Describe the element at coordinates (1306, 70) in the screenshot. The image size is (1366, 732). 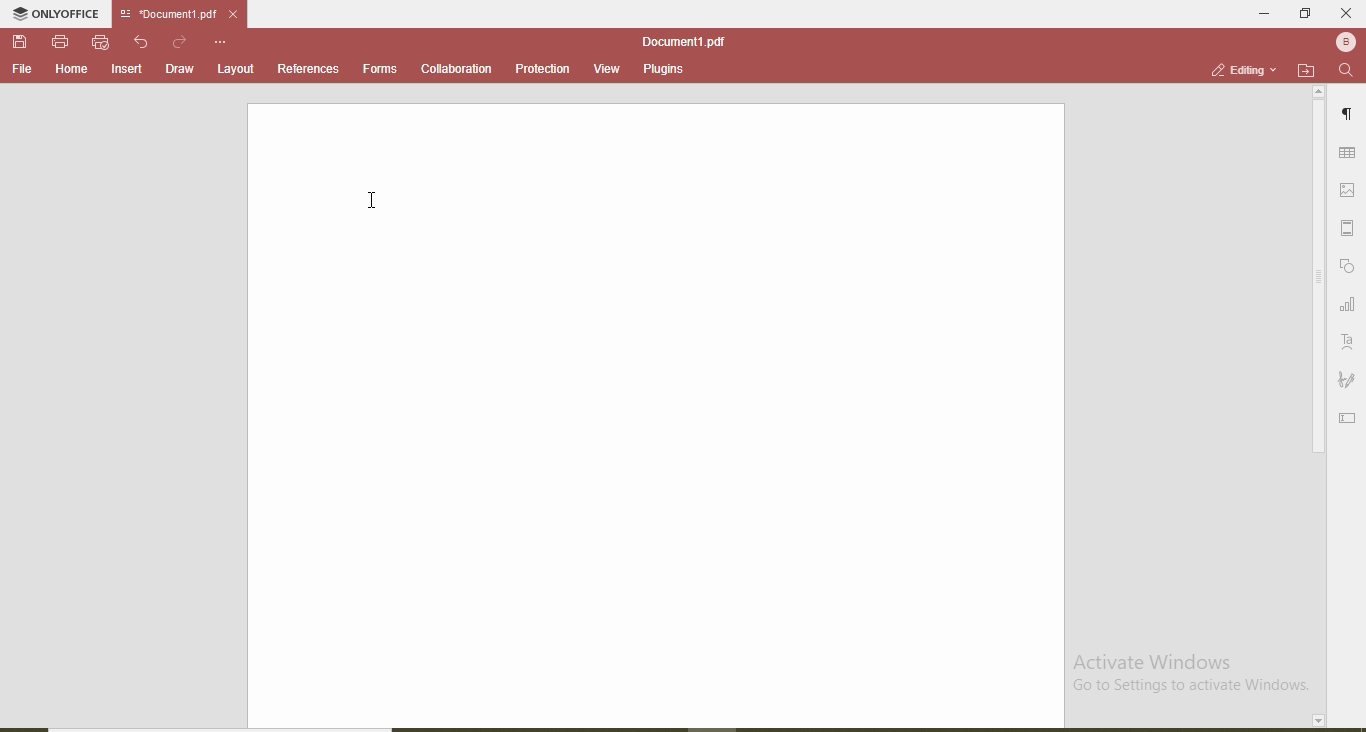
I see `open file location` at that location.